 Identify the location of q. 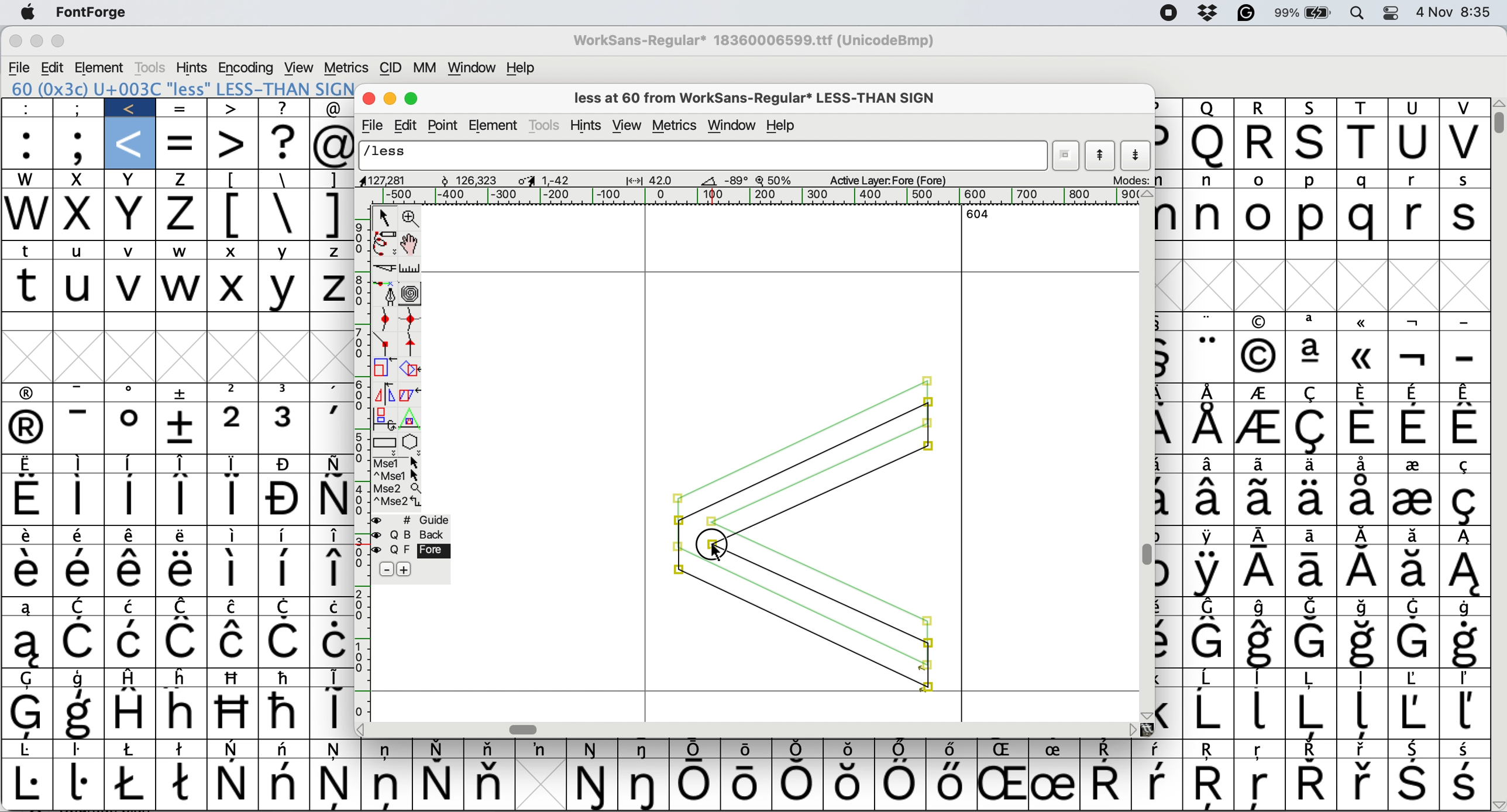
(1363, 180).